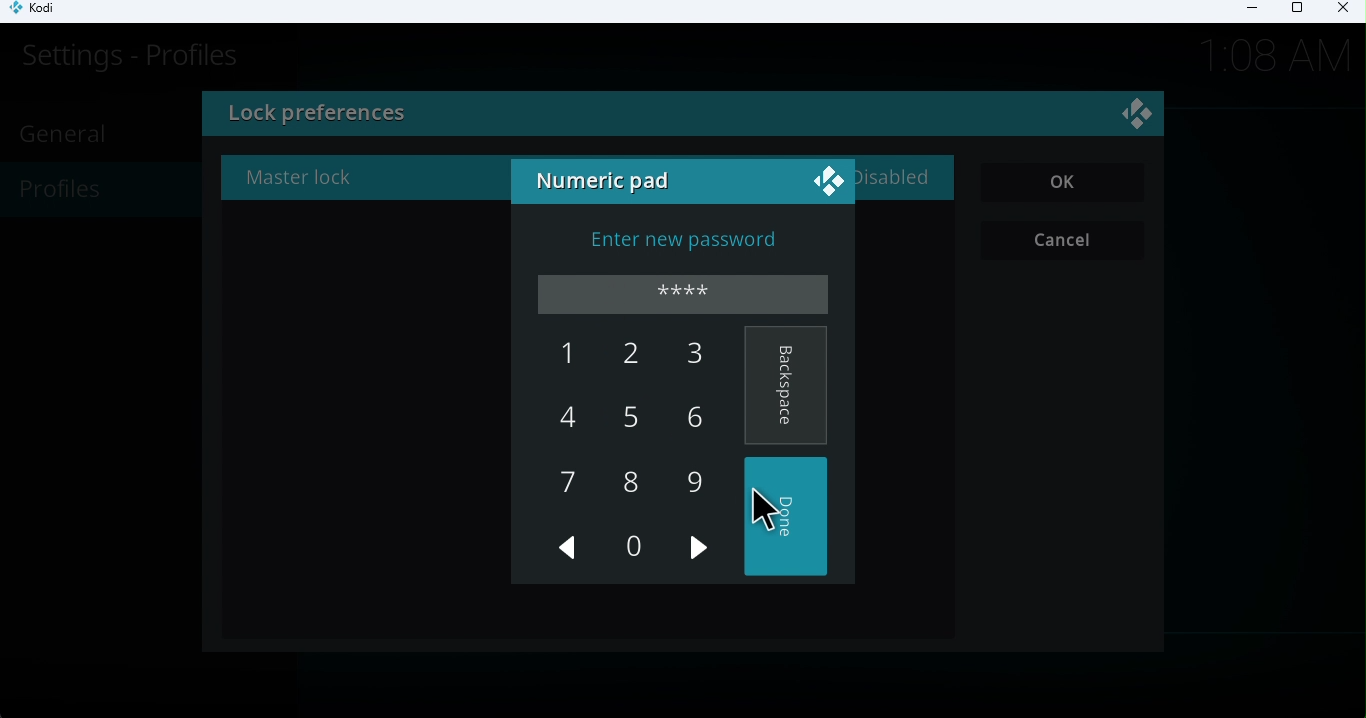  I want to click on cursor, so click(762, 511).